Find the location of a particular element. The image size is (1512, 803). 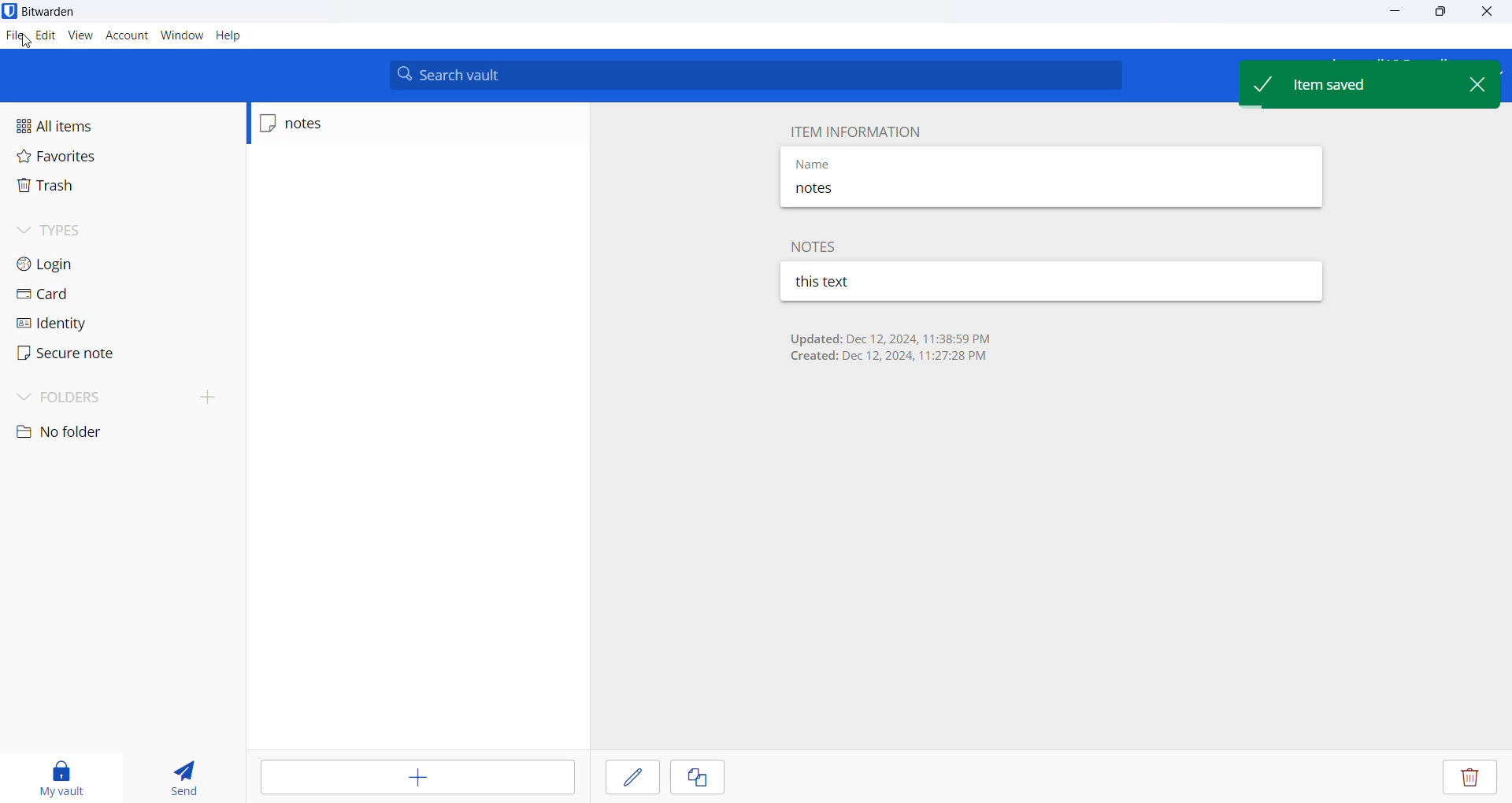

favorites is located at coordinates (72, 157).